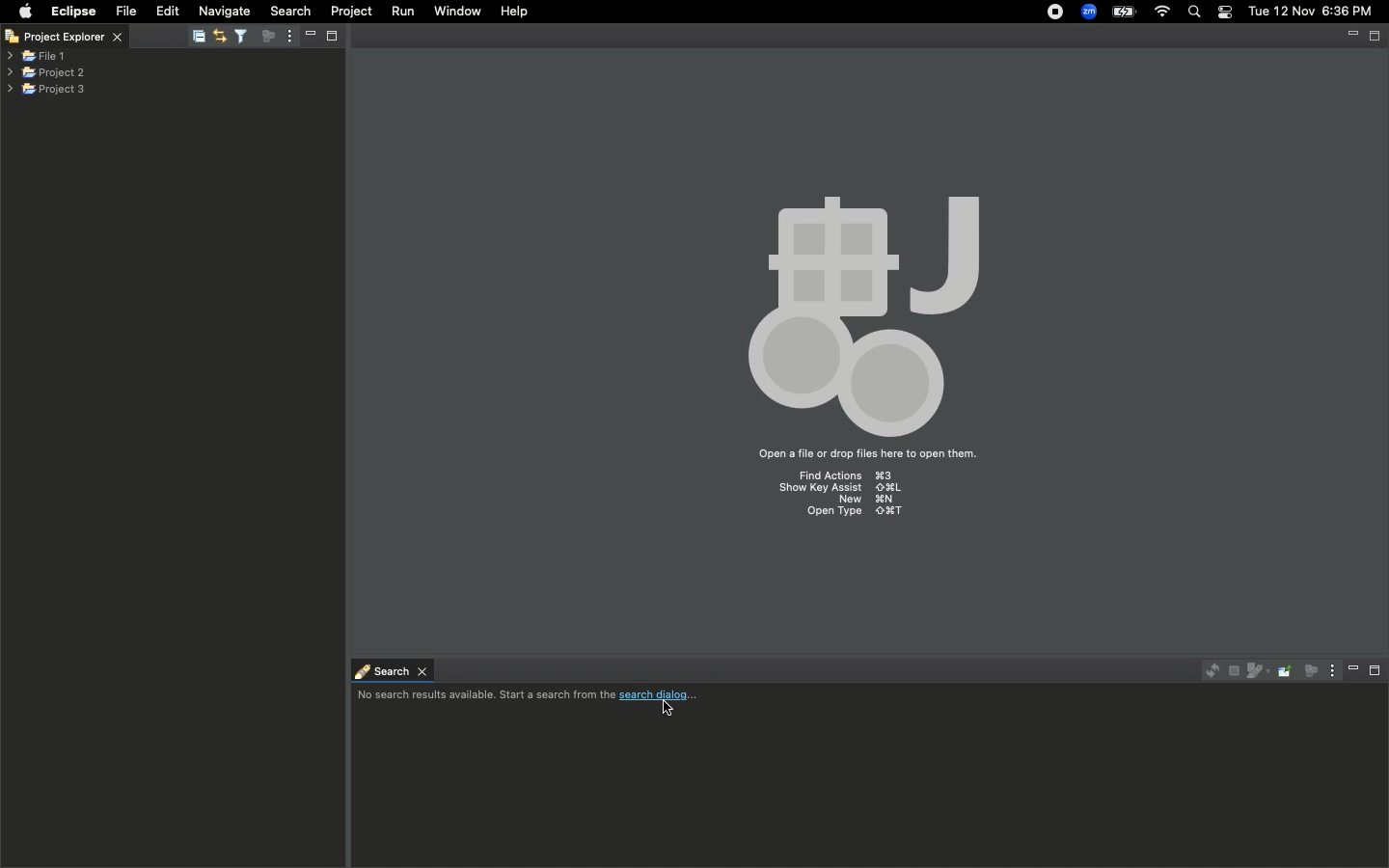 The height and width of the screenshot is (868, 1389). I want to click on Search, so click(1195, 14).